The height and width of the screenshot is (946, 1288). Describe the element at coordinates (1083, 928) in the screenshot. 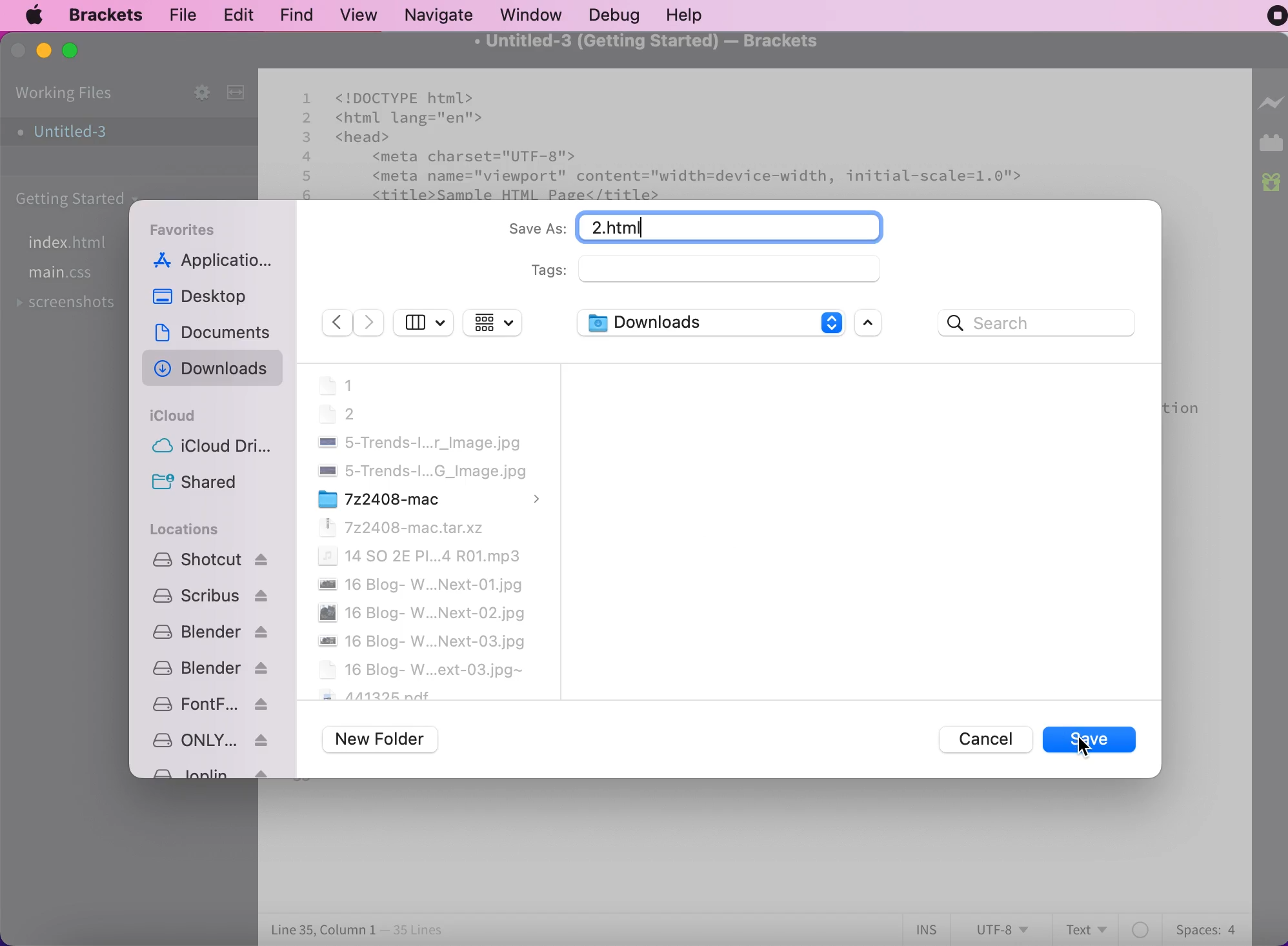

I see `text` at that location.